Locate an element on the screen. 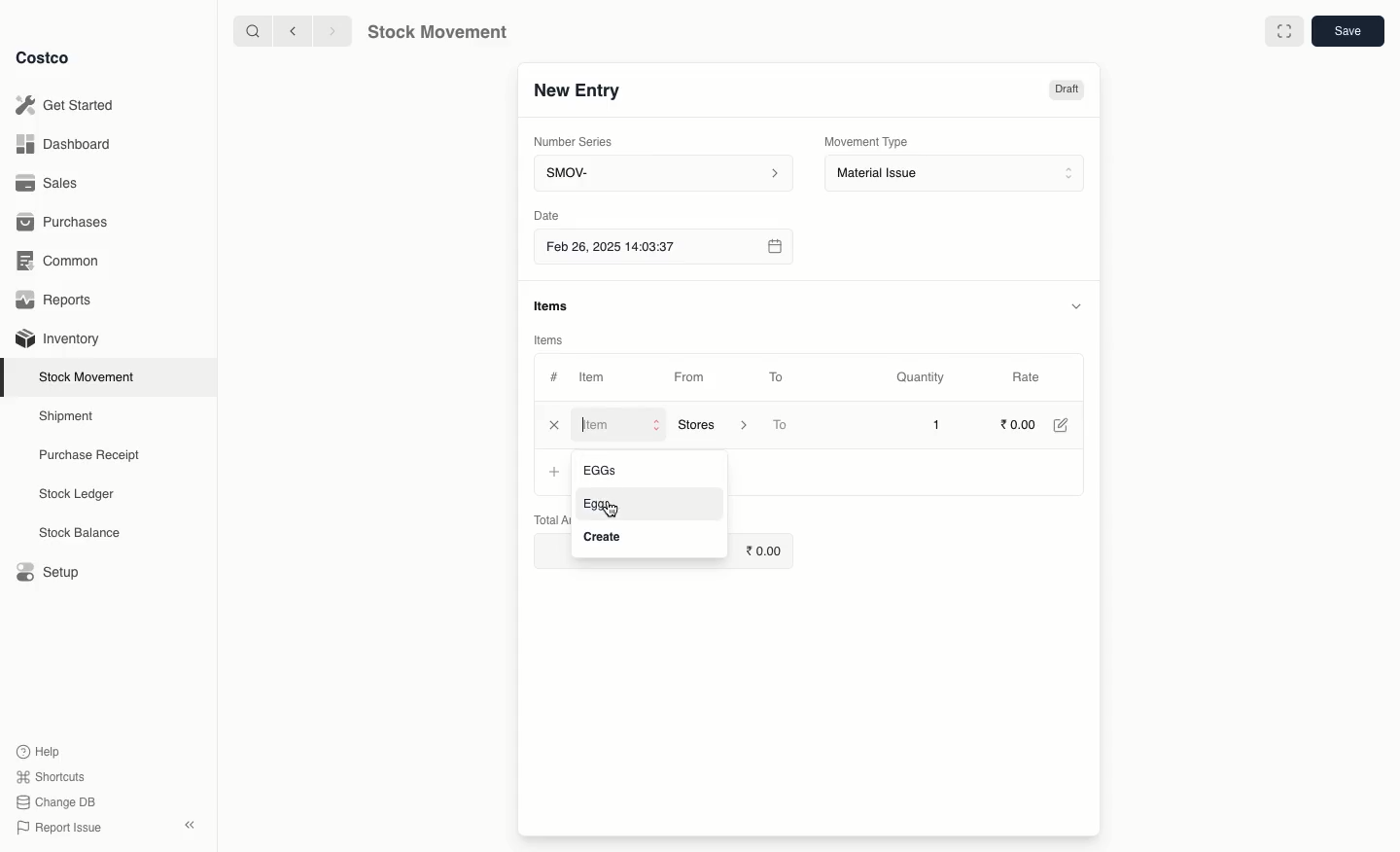 This screenshot has height=852, width=1400. Feb 26, 2025 14:03:37 is located at coordinates (662, 248).